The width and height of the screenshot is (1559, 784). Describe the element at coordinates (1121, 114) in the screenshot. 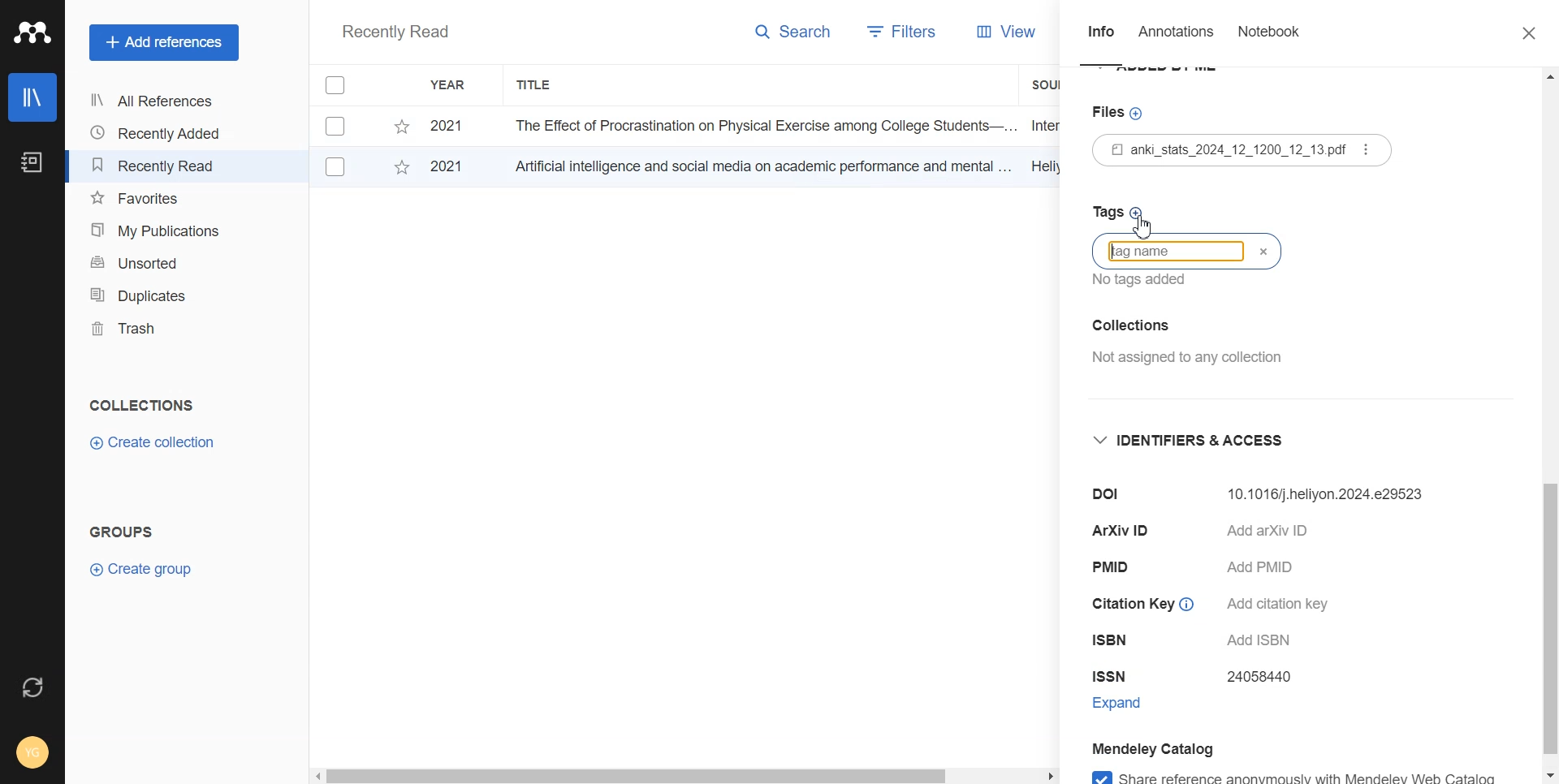

I see `Files` at that location.